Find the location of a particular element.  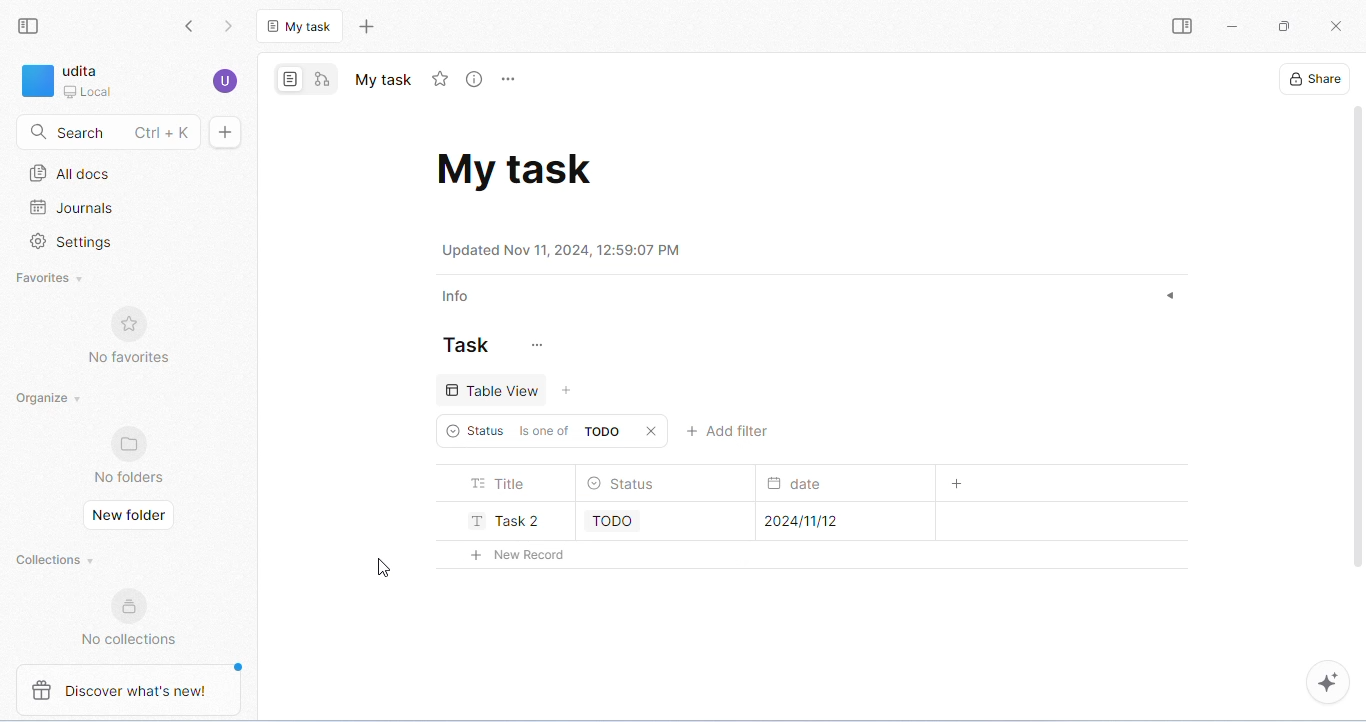

status is located at coordinates (470, 431).